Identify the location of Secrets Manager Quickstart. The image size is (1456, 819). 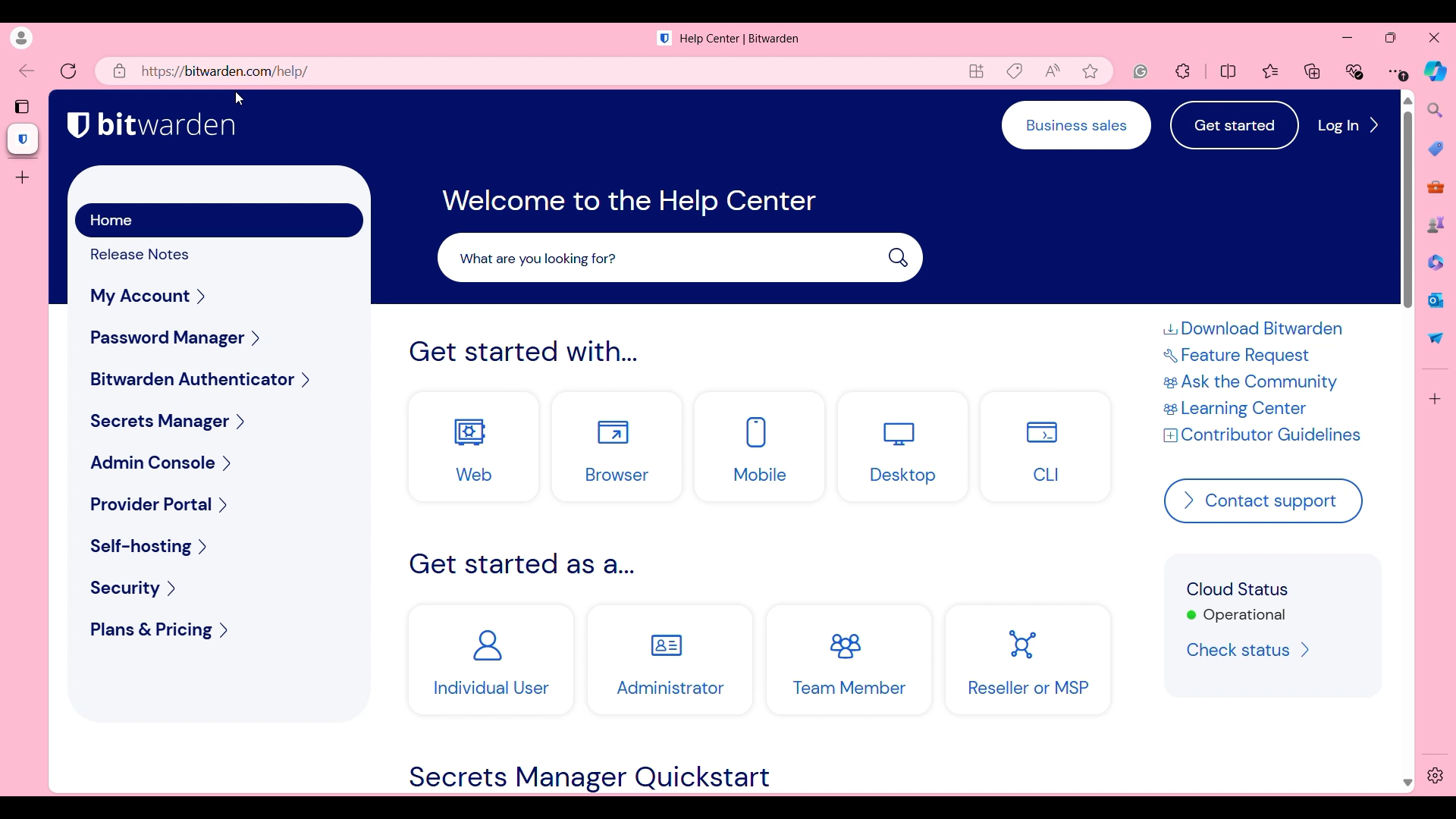
(589, 779).